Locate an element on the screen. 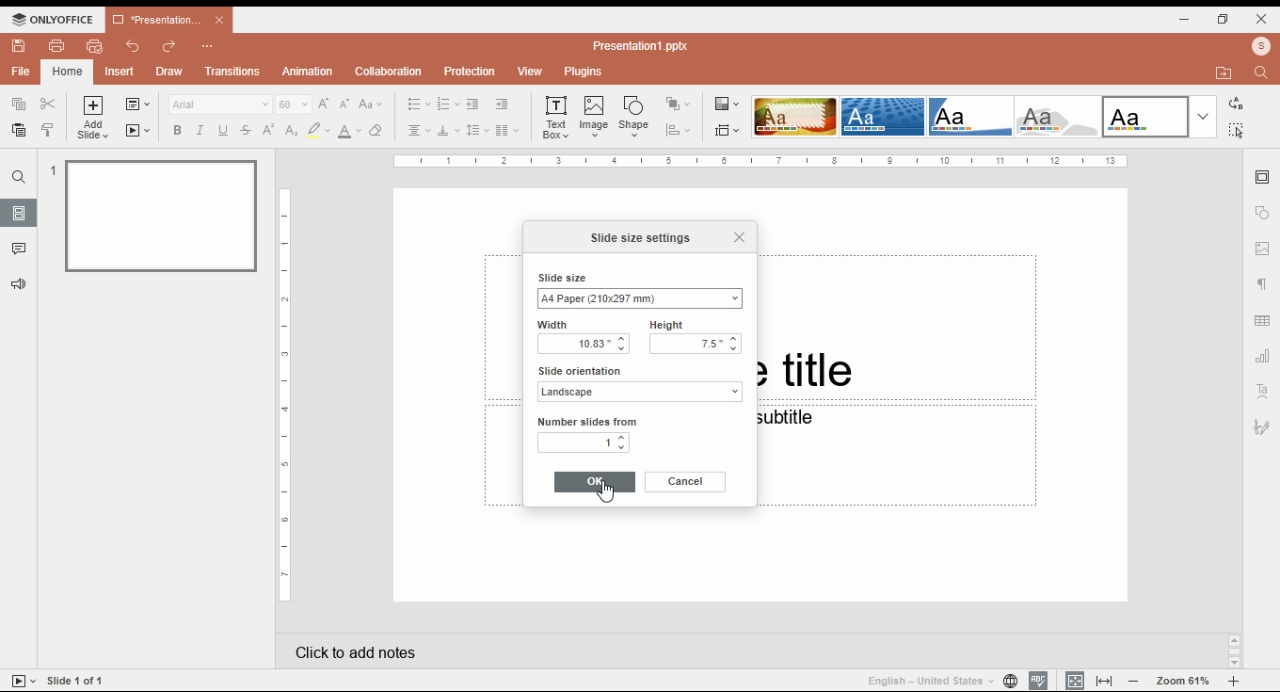 This screenshot has height=692, width=1280. home is located at coordinates (66, 72).